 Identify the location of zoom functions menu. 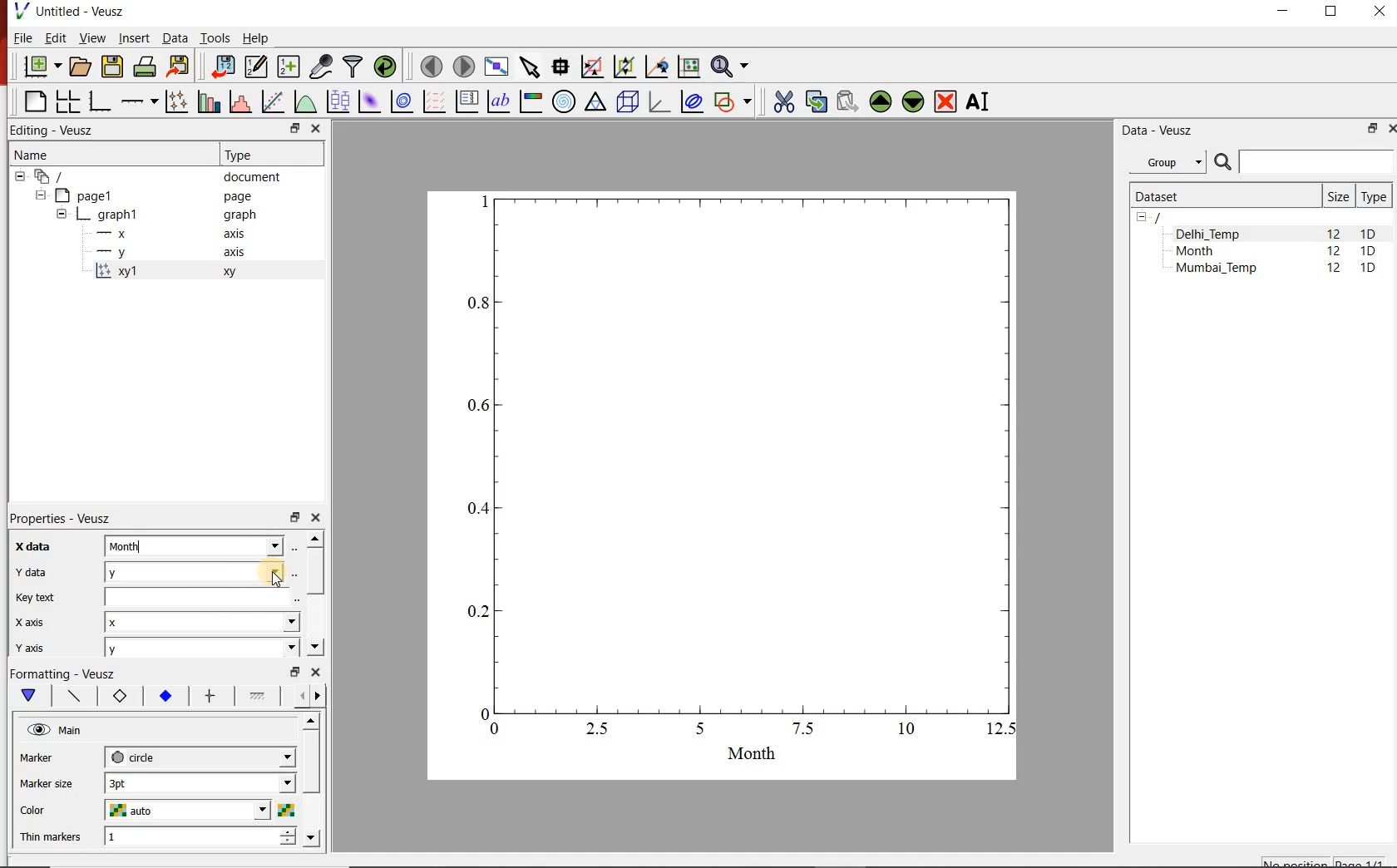
(732, 67).